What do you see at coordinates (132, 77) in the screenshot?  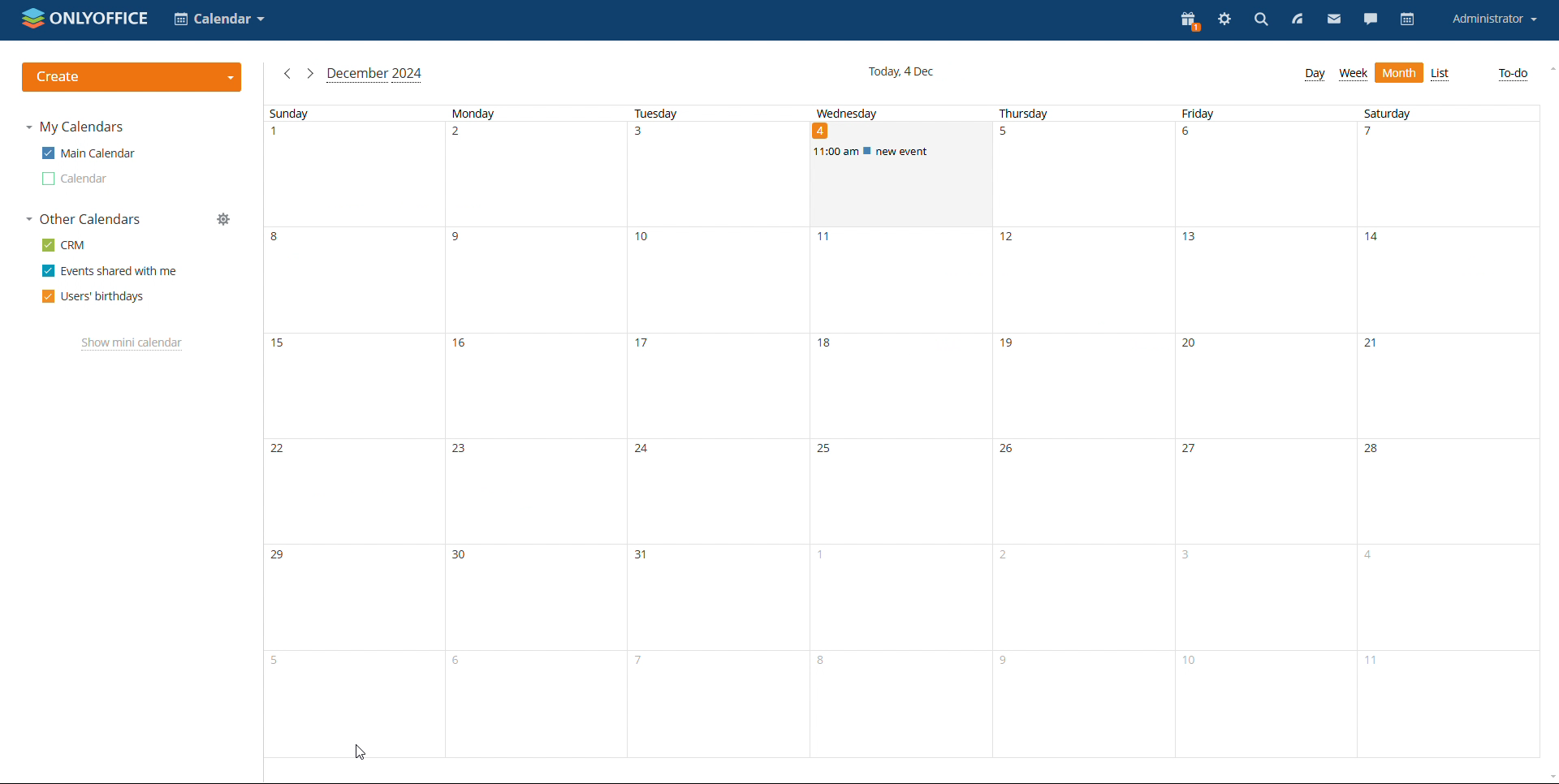 I see `create` at bounding box center [132, 77].